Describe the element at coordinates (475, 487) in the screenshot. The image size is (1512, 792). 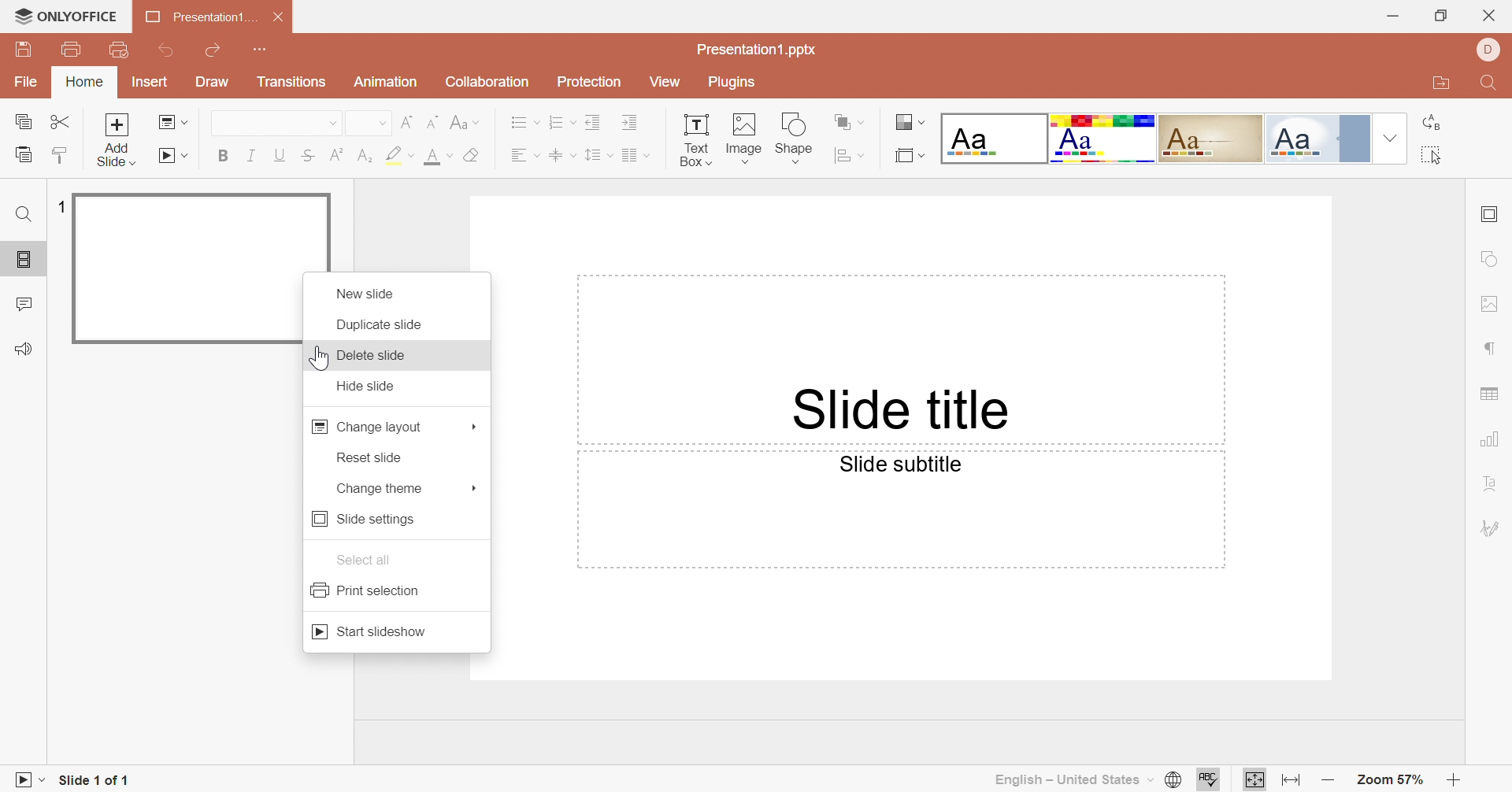
I see `More` at that location.